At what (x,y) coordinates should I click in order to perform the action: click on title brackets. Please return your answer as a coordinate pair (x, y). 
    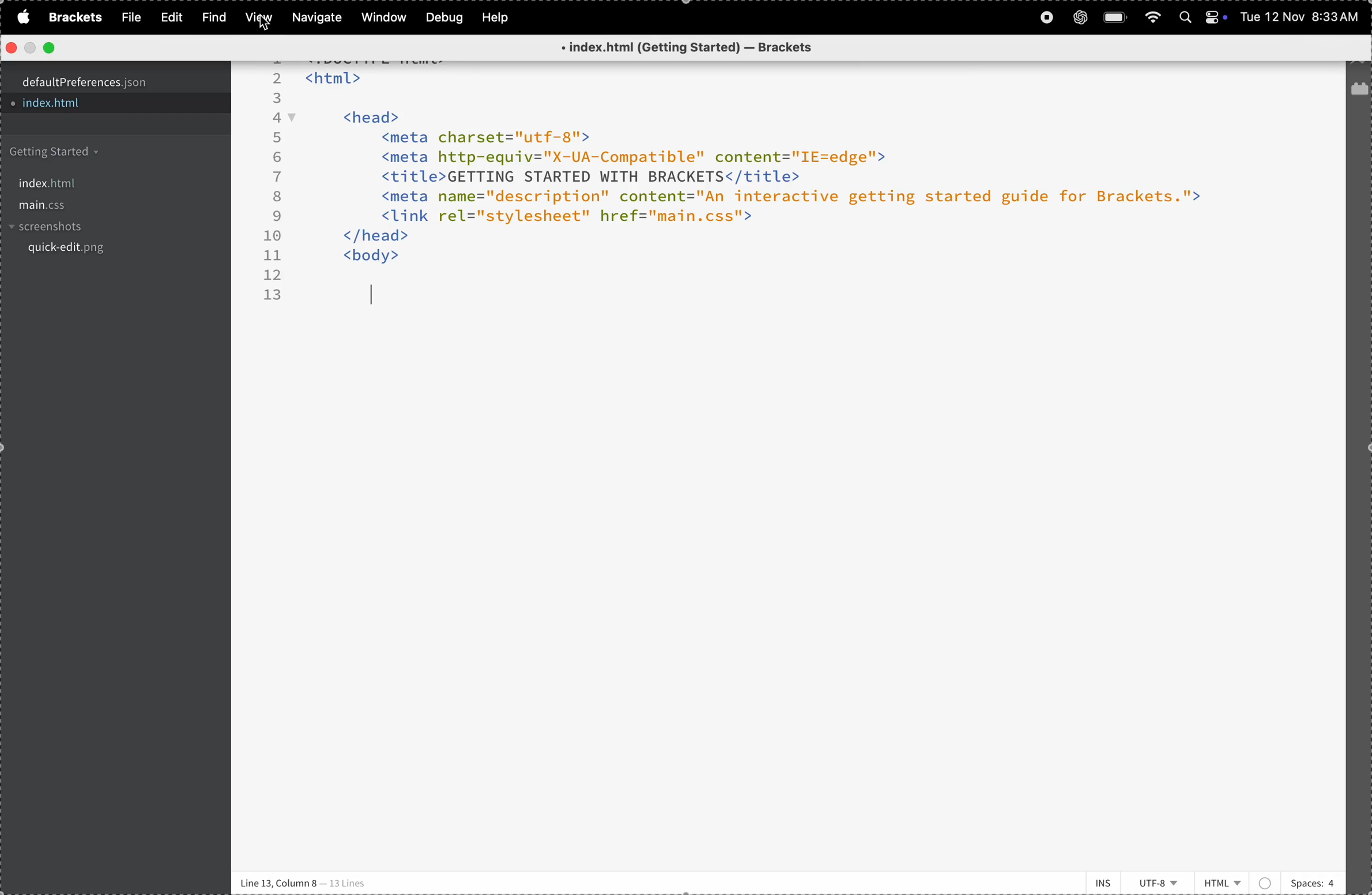
    Looking at the image, I should click on (707, 48).